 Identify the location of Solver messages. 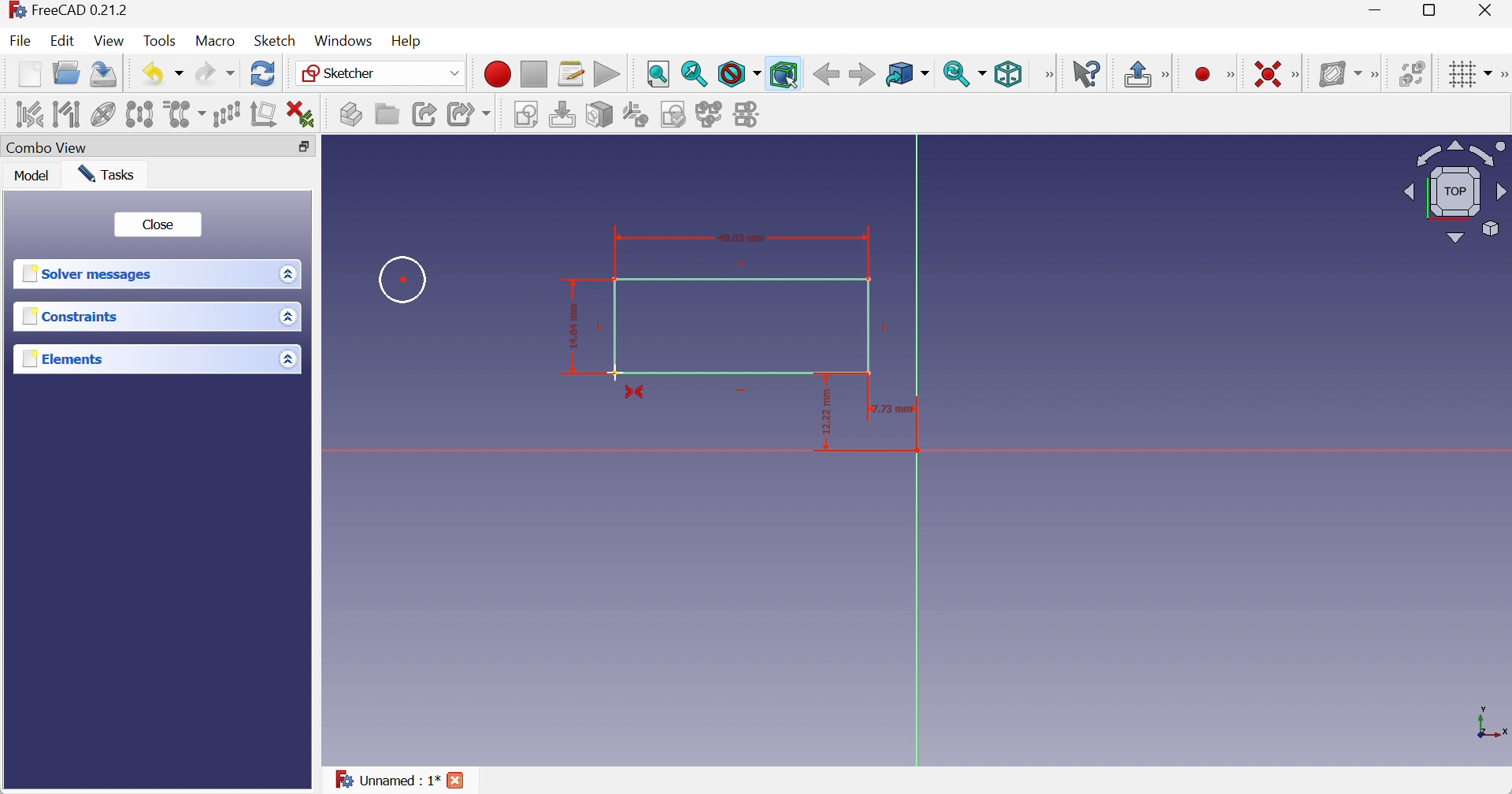
(90, 273).